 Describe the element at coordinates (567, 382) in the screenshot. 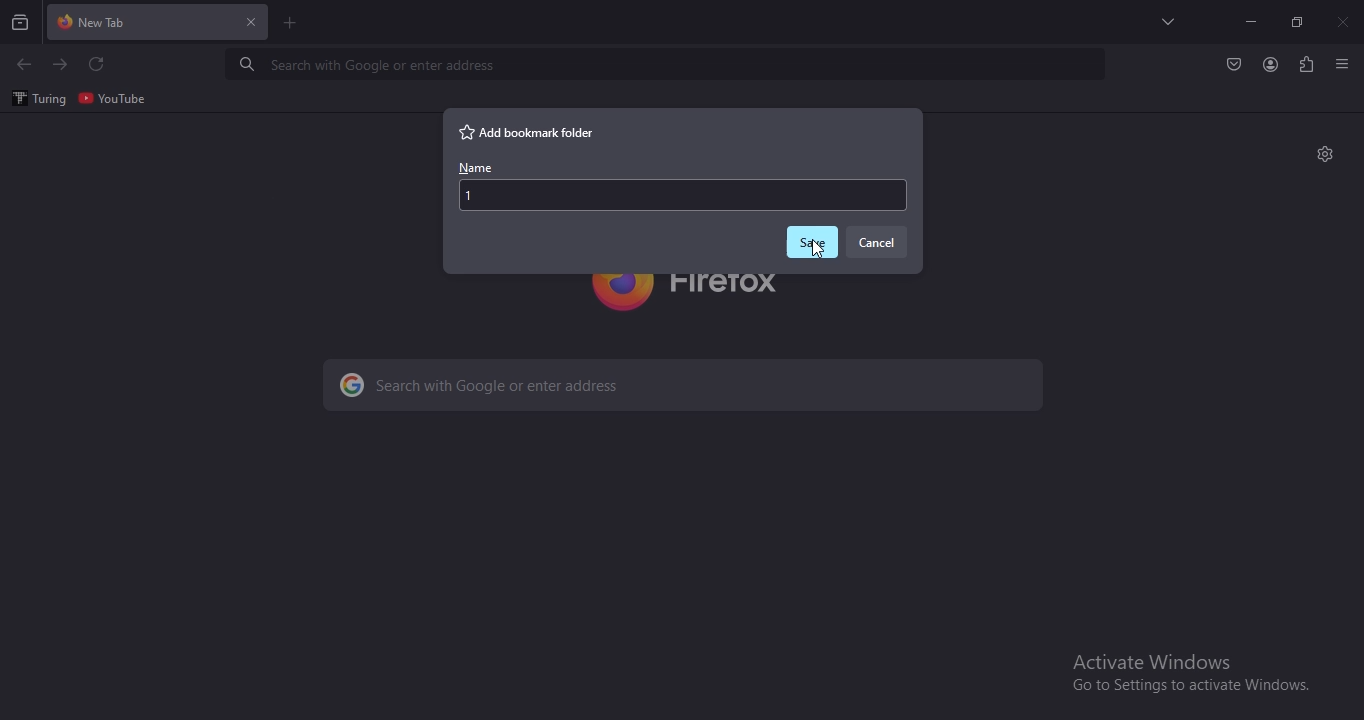

I see `search with Google or enter address` at that location.